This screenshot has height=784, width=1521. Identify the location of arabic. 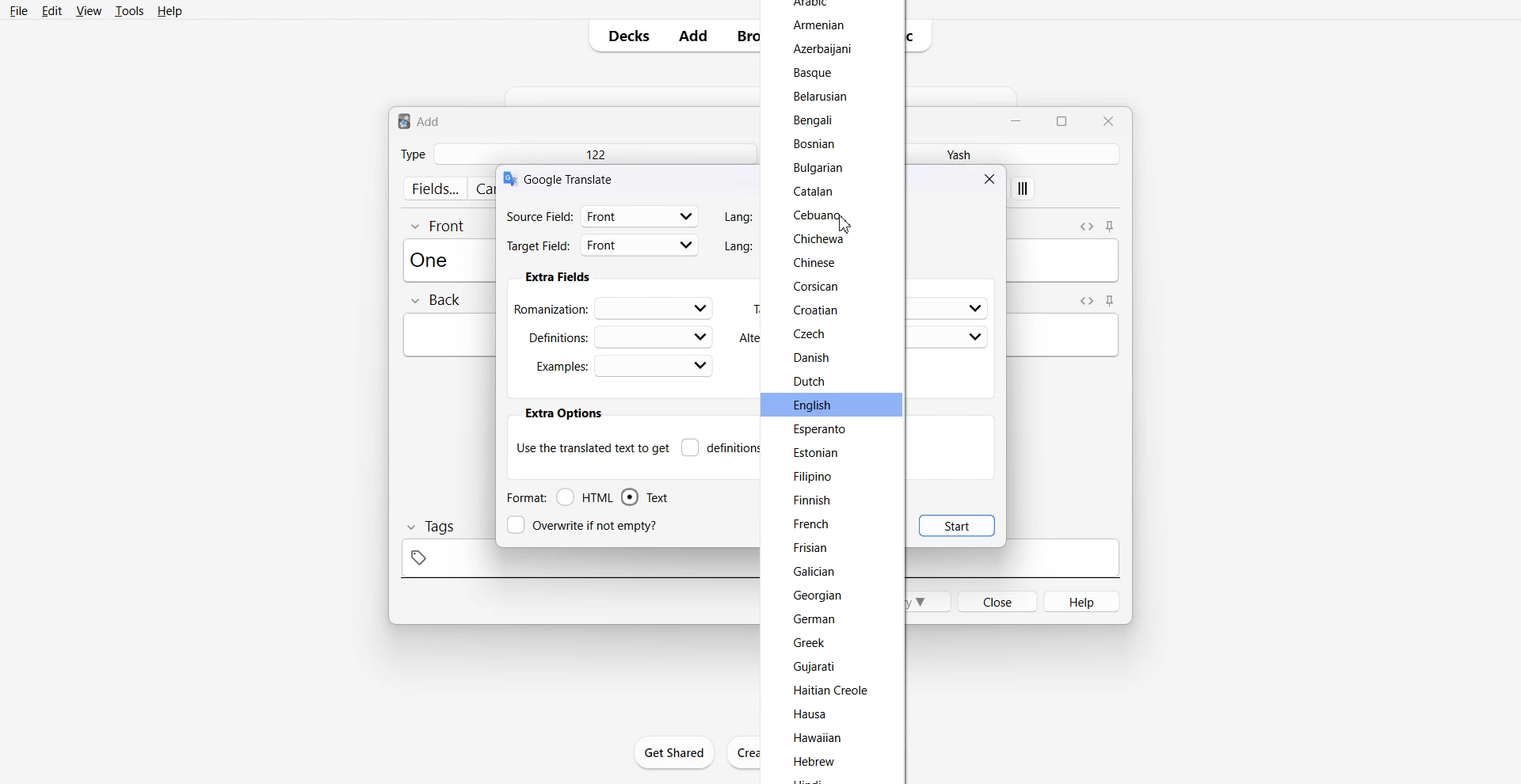
(811, 6).